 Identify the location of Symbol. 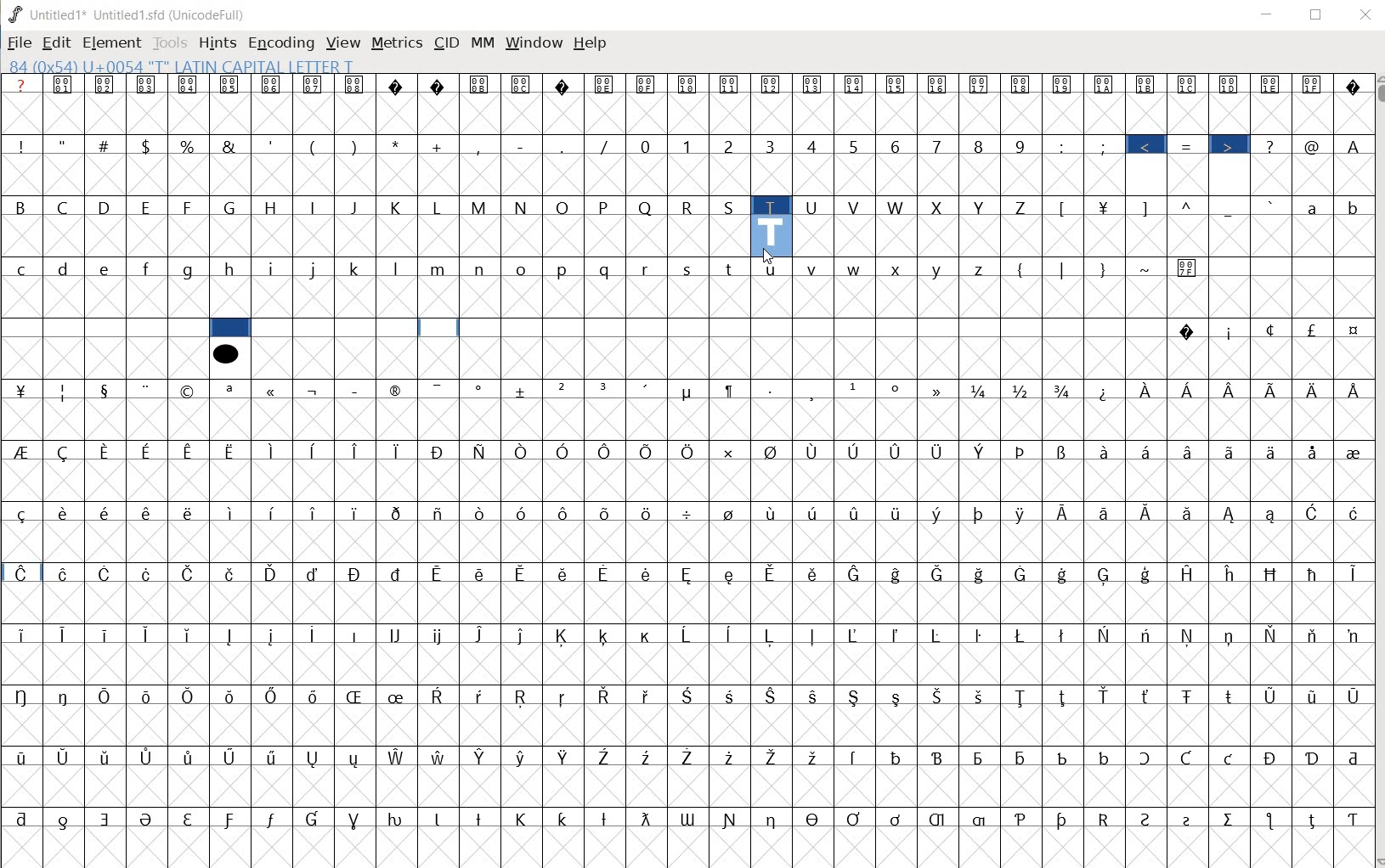
(813, 450).